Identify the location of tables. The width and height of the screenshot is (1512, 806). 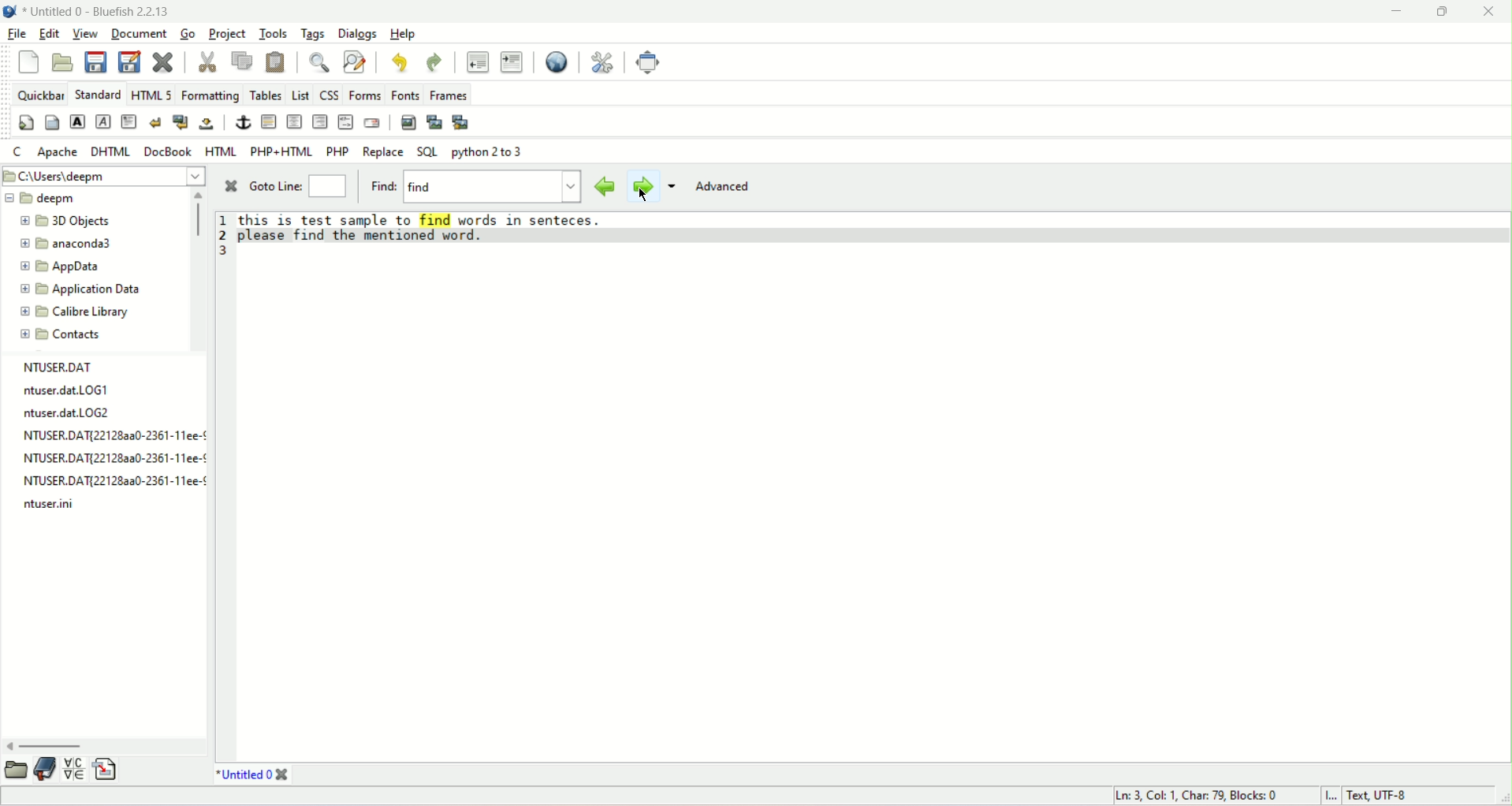
(264, 95).